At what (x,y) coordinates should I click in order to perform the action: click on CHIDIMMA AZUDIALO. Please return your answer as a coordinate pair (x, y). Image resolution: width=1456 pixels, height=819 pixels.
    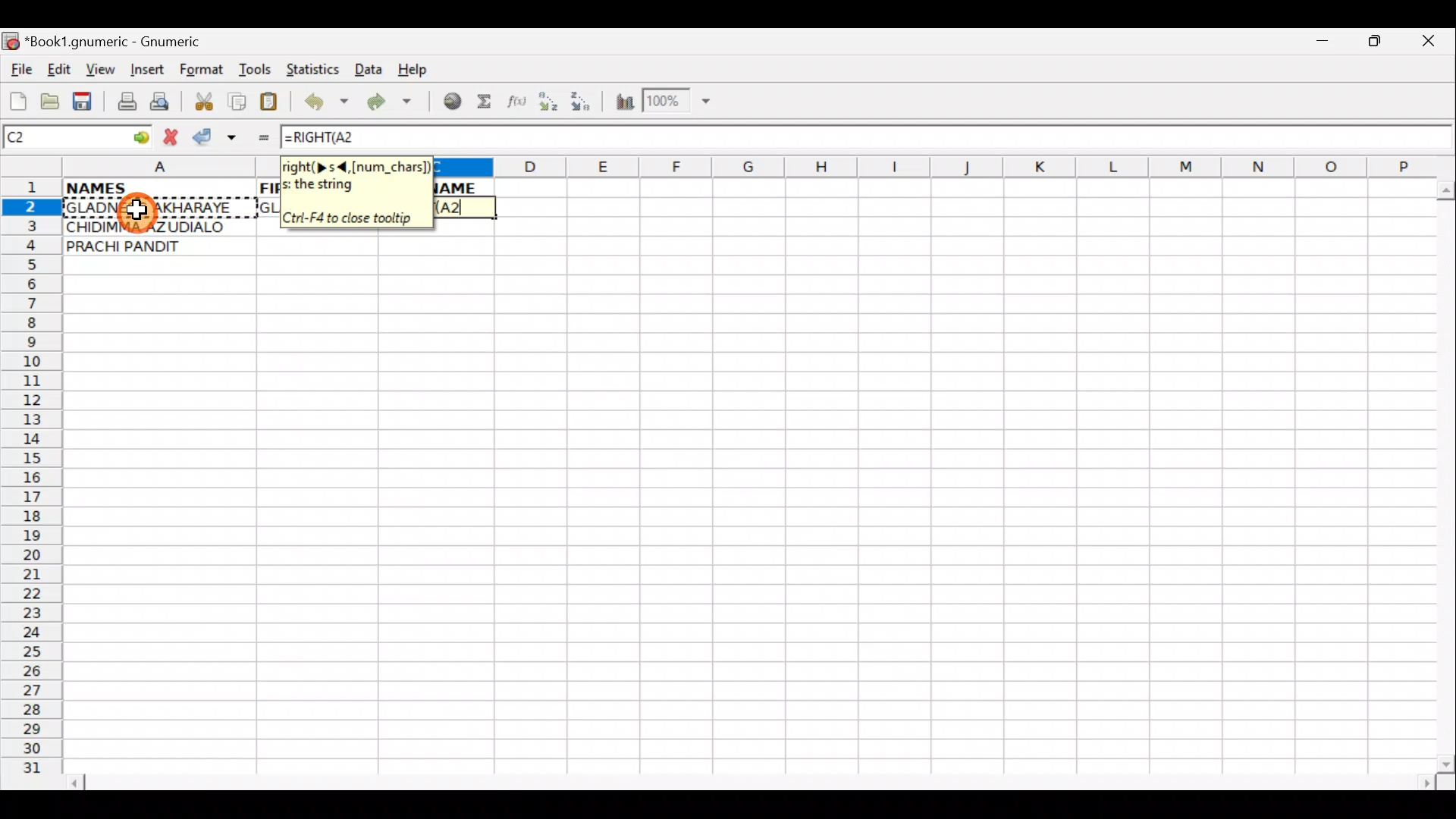
    Looking at the image, I should click on (154, 225).